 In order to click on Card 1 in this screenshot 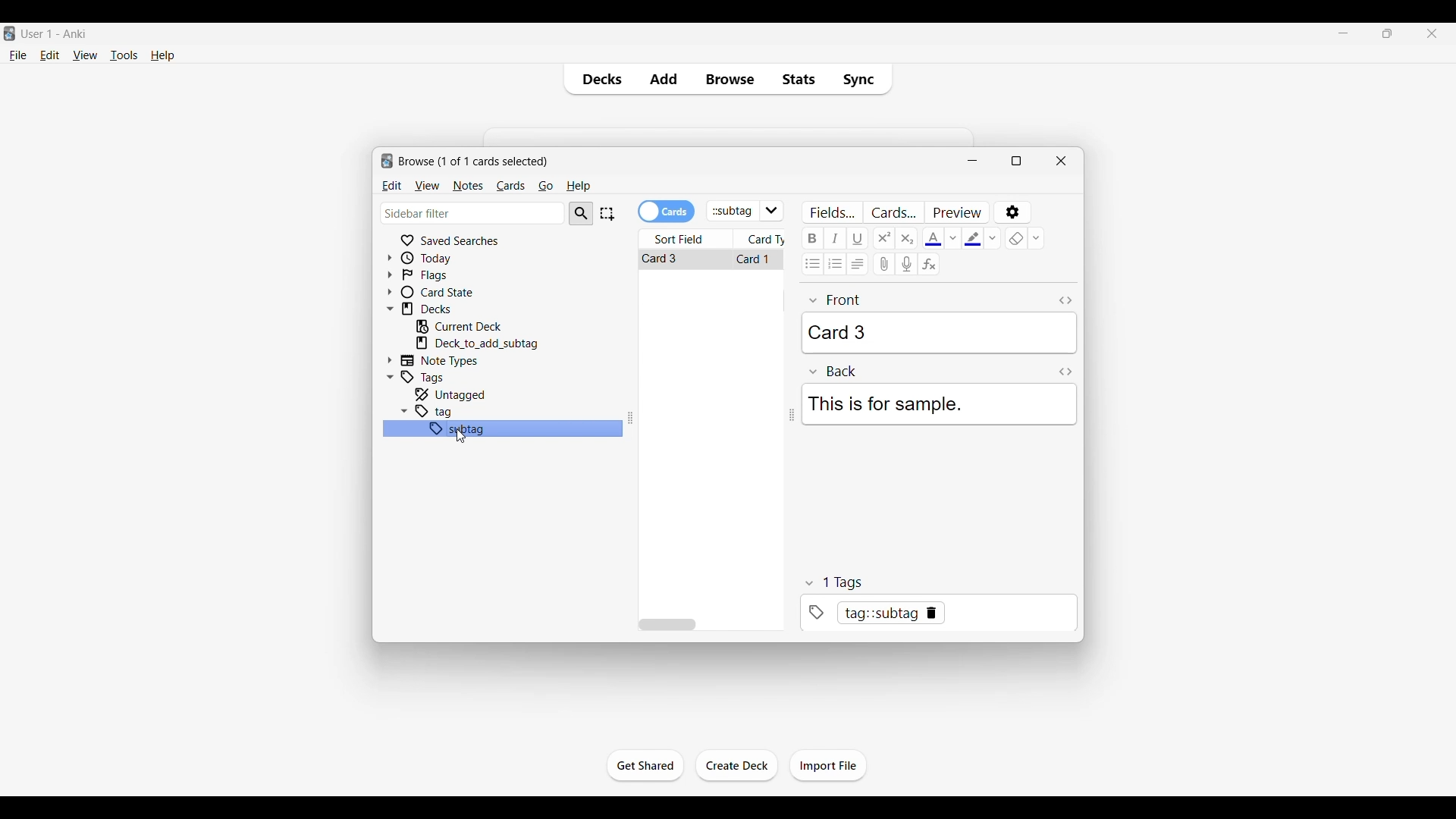, I will do `click(666, 260)`.